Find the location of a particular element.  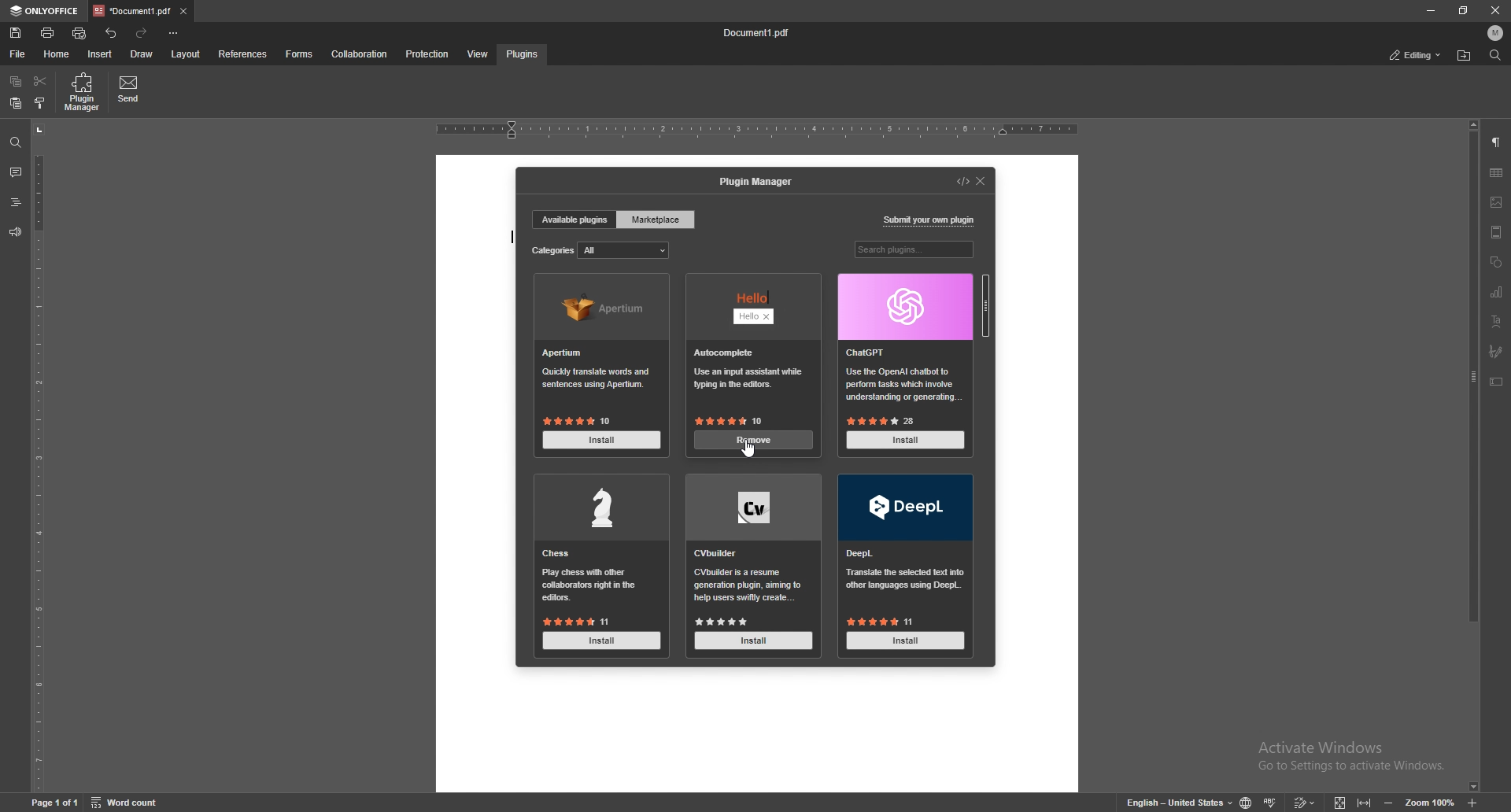

install is located at coordinates (600, 640).